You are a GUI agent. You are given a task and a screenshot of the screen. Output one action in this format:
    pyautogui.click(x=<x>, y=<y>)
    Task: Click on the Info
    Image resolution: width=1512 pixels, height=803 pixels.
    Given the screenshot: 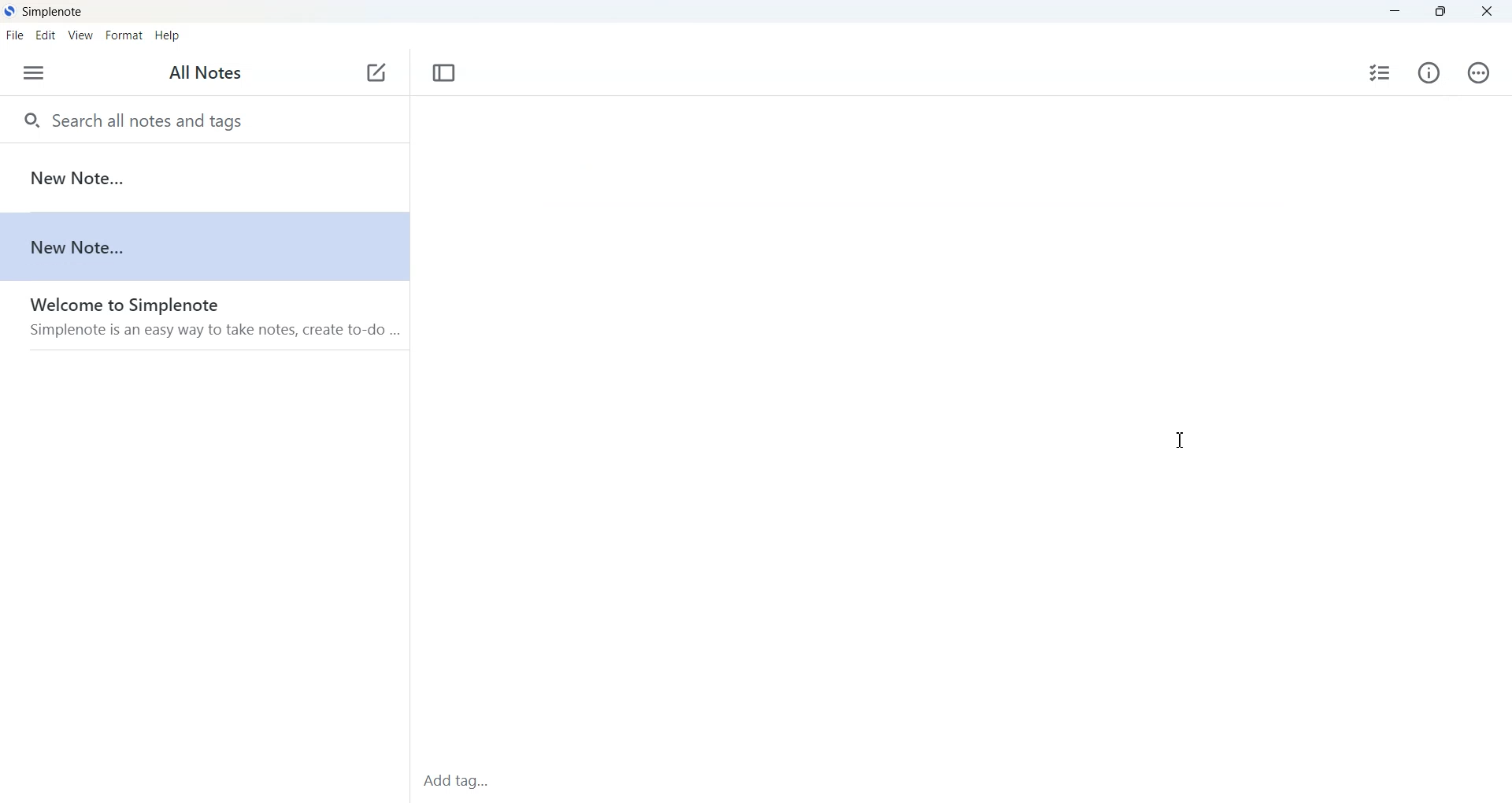 What is the action you would take?
    pyautogui.click(x=1430, y=74)
    